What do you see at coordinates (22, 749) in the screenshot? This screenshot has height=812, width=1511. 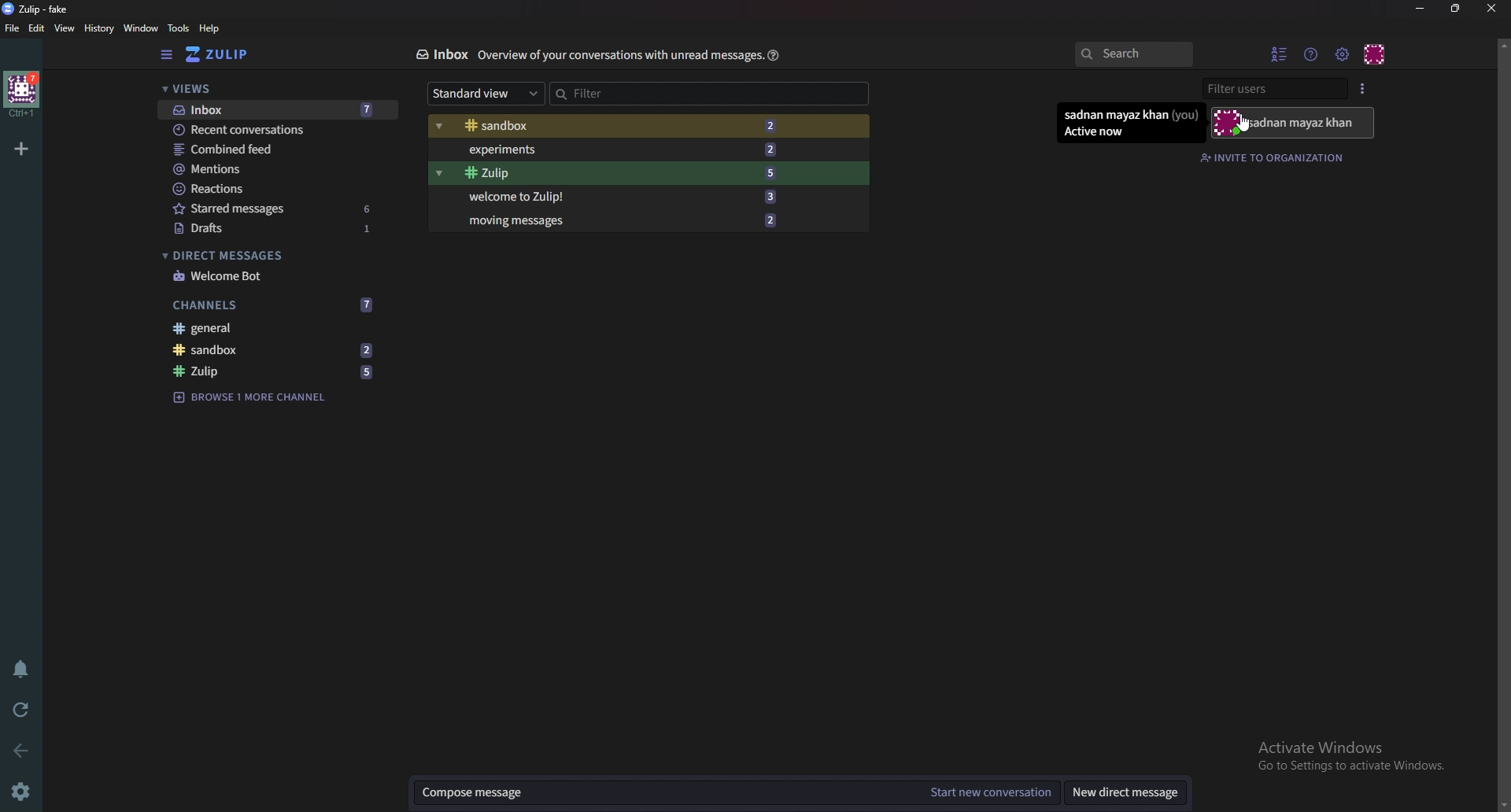 I see `back` at bounding box center [22, 749].